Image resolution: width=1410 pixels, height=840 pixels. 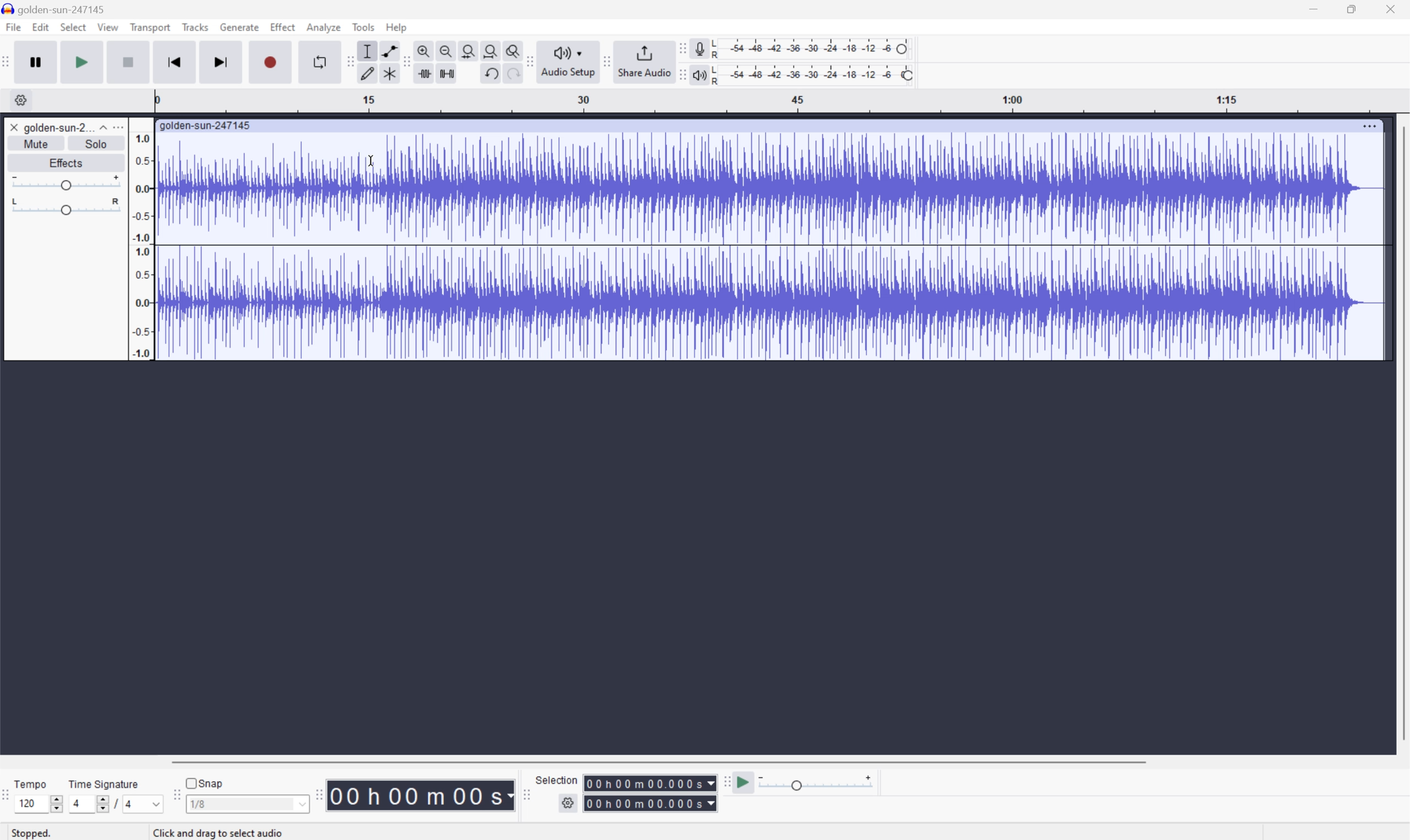 What do you see at coordinates (470, 49) in the screenshot?
I see `selection to width` at bounding box center [470, 49].